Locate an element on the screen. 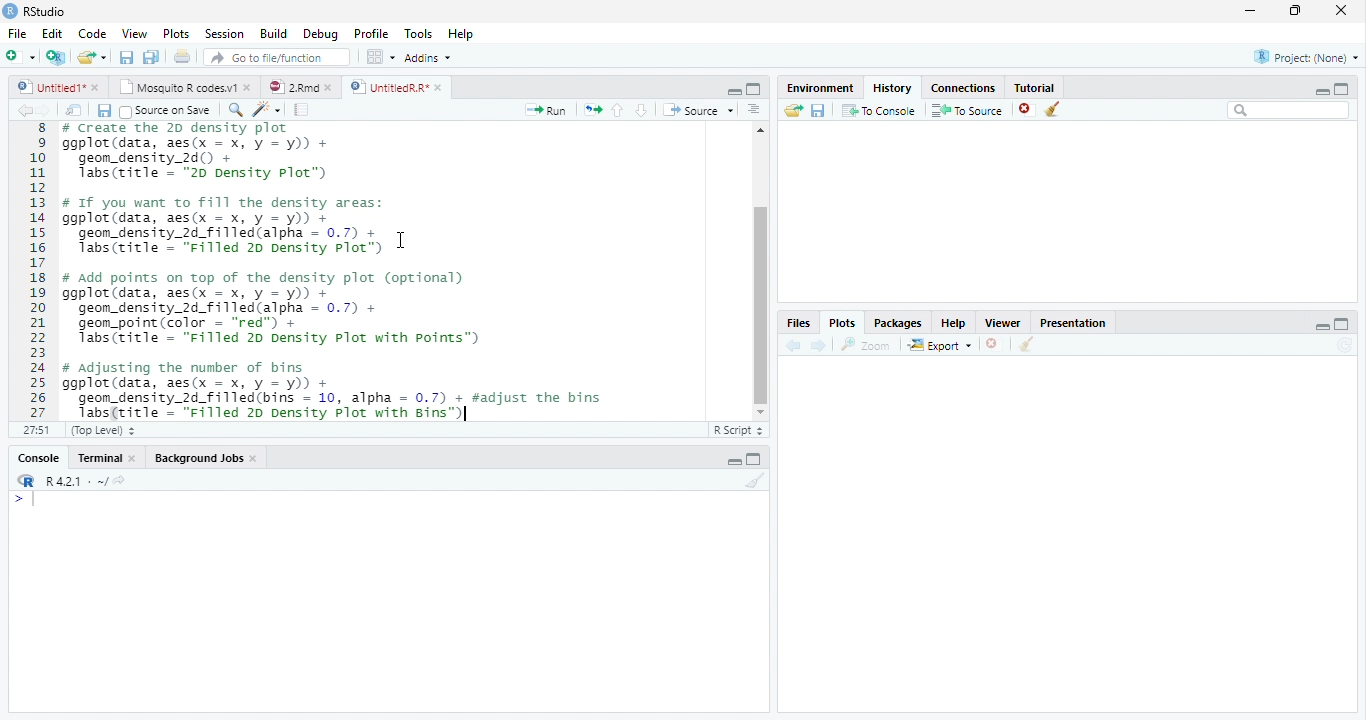 The height and width of the screenshot is (720, 1366). save current document is located at coordinates (125, 57).